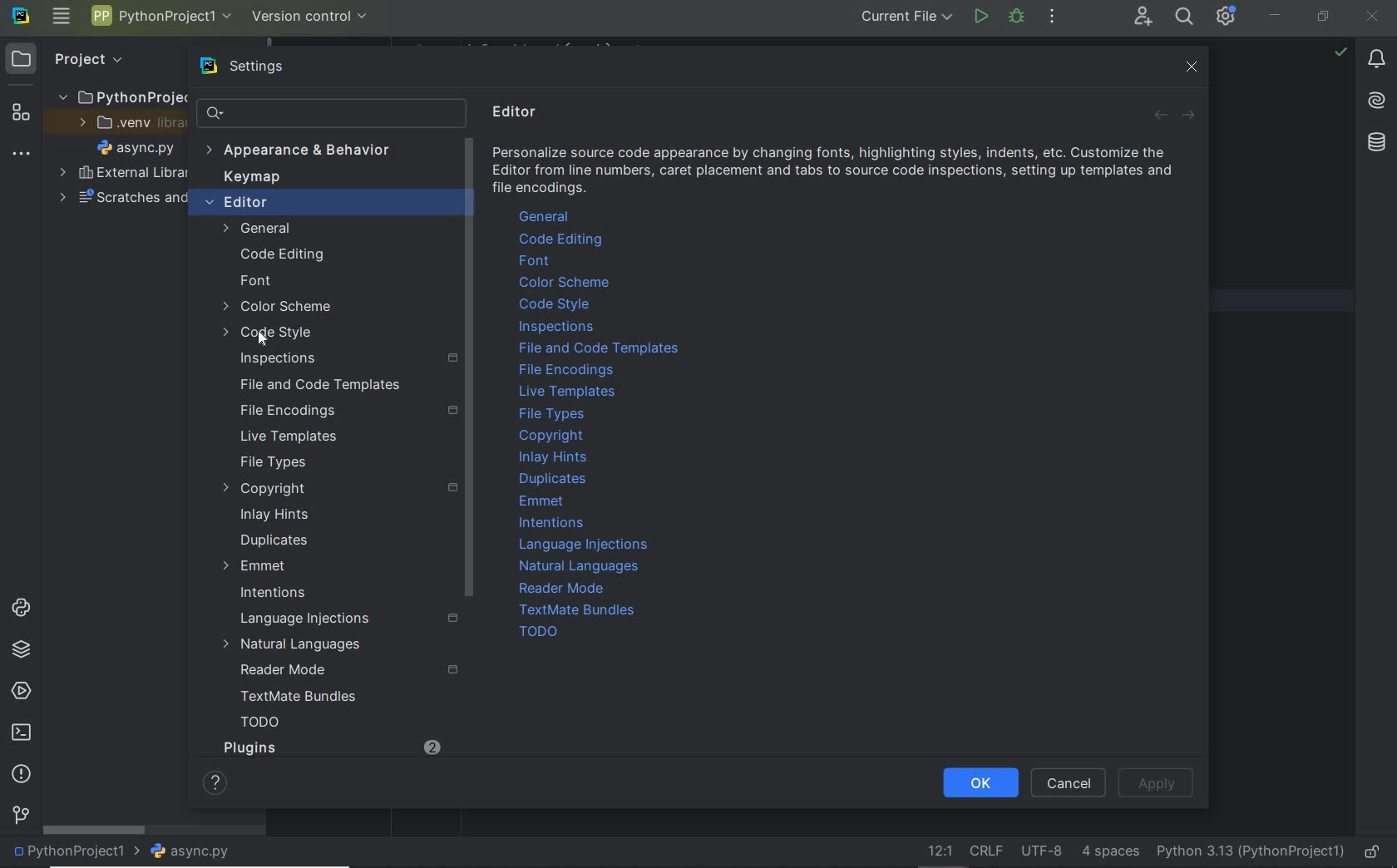  I want to click on Scroll Bar, so click(468, 370).